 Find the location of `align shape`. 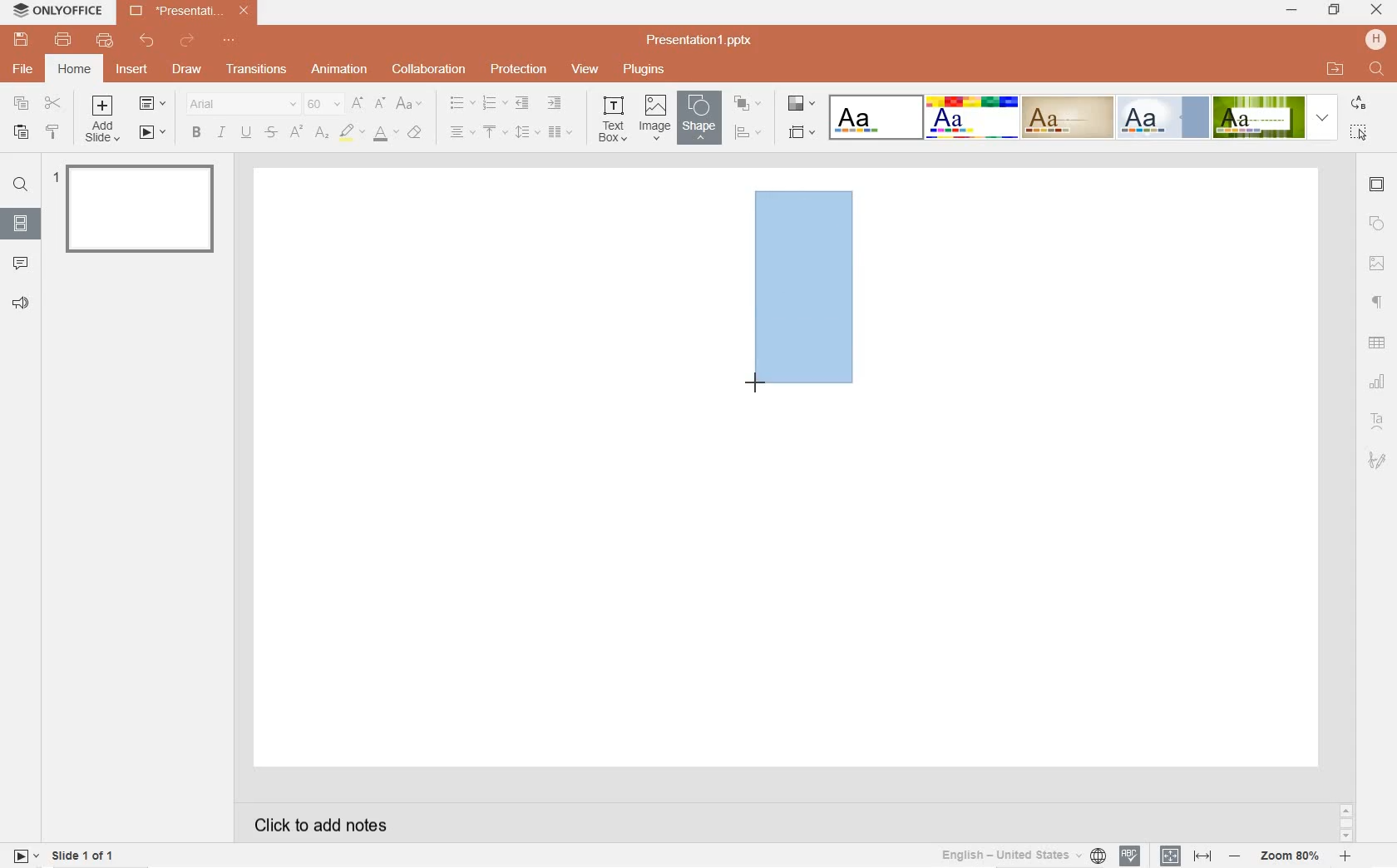

align shape is located at coordinates (748, 132).